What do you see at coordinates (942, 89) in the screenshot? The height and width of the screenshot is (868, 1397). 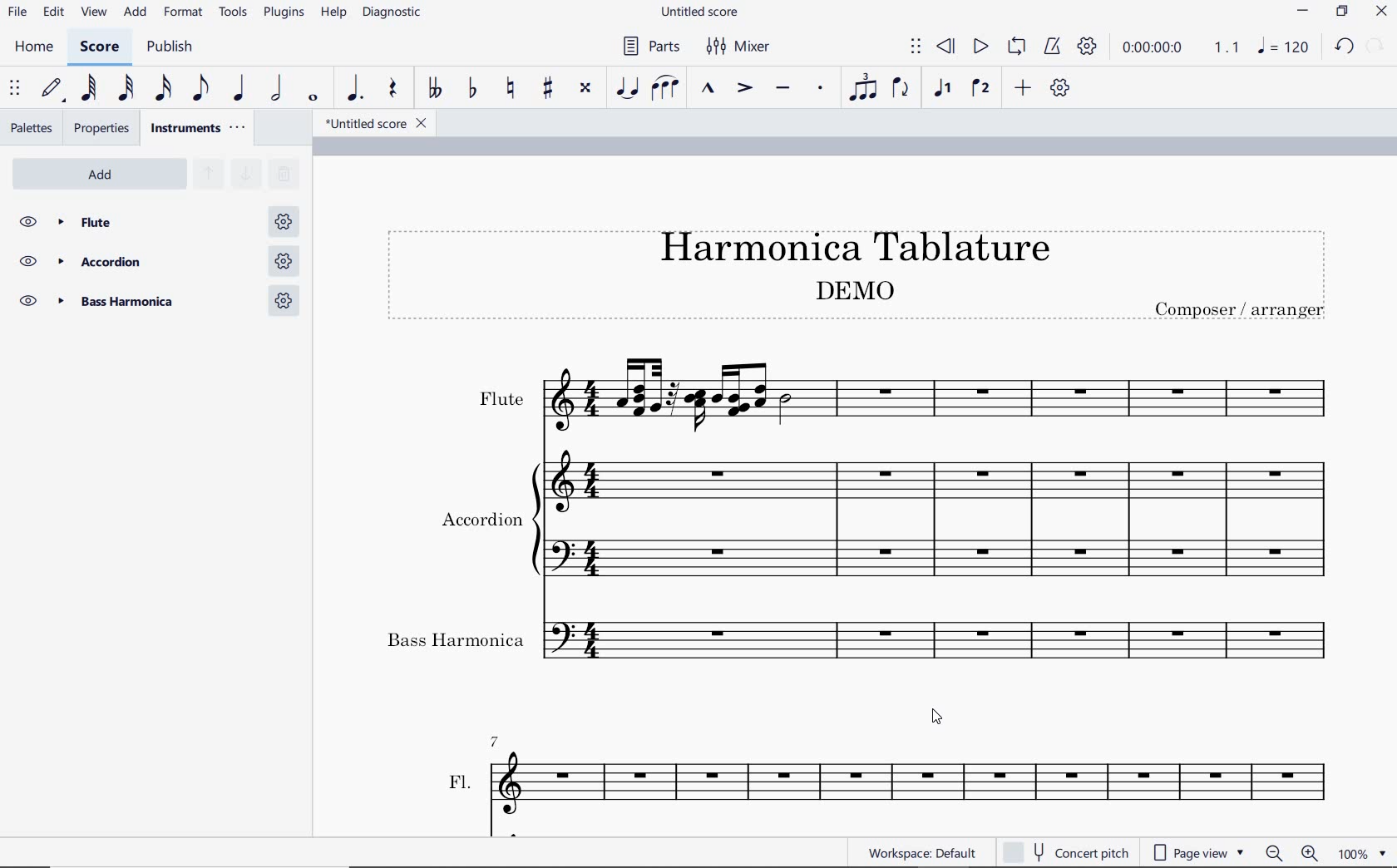 I see `voice1` at bounding box center [942, 89].